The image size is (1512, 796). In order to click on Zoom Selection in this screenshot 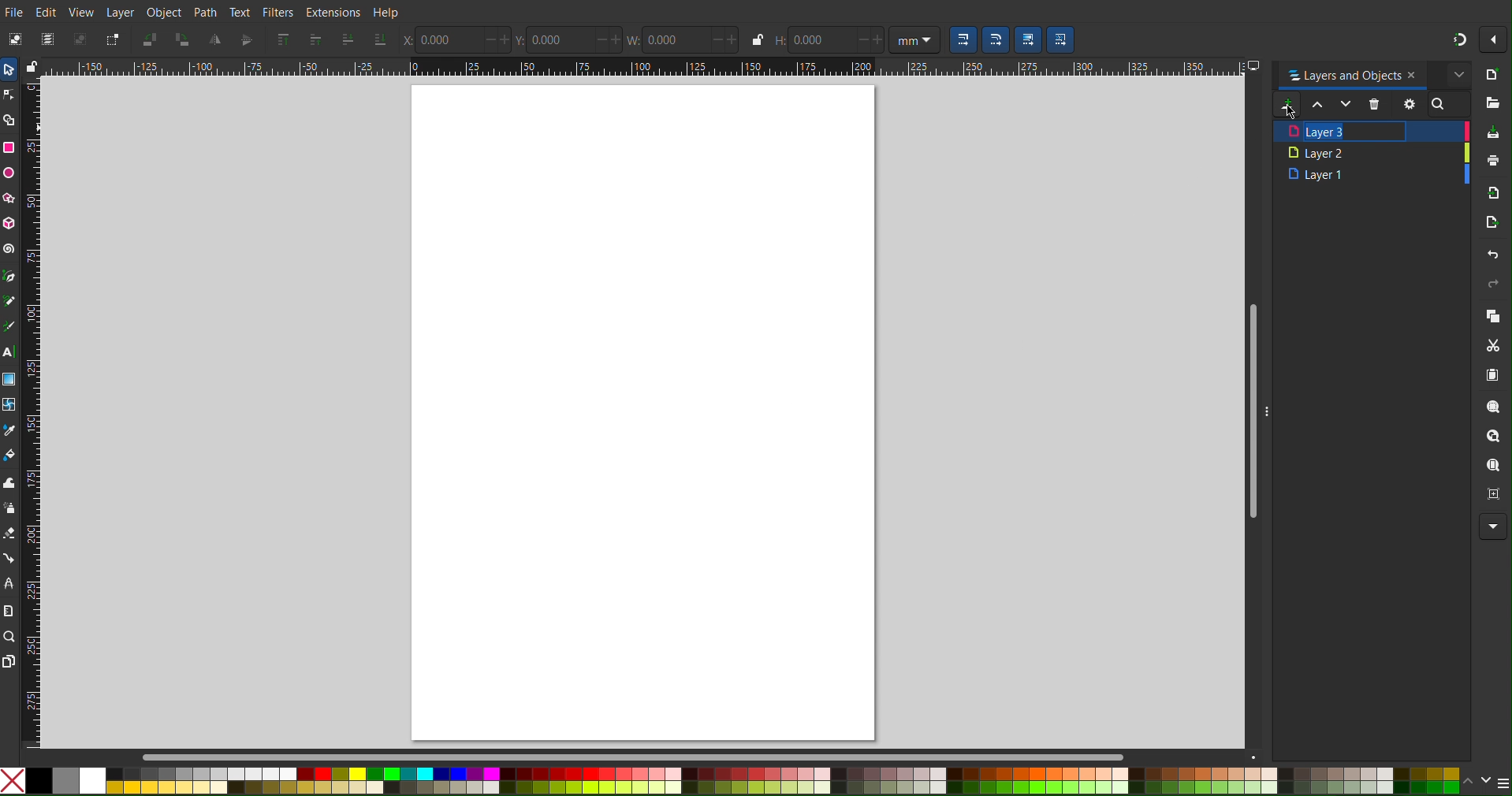, I will do `click(1490, 407)`.